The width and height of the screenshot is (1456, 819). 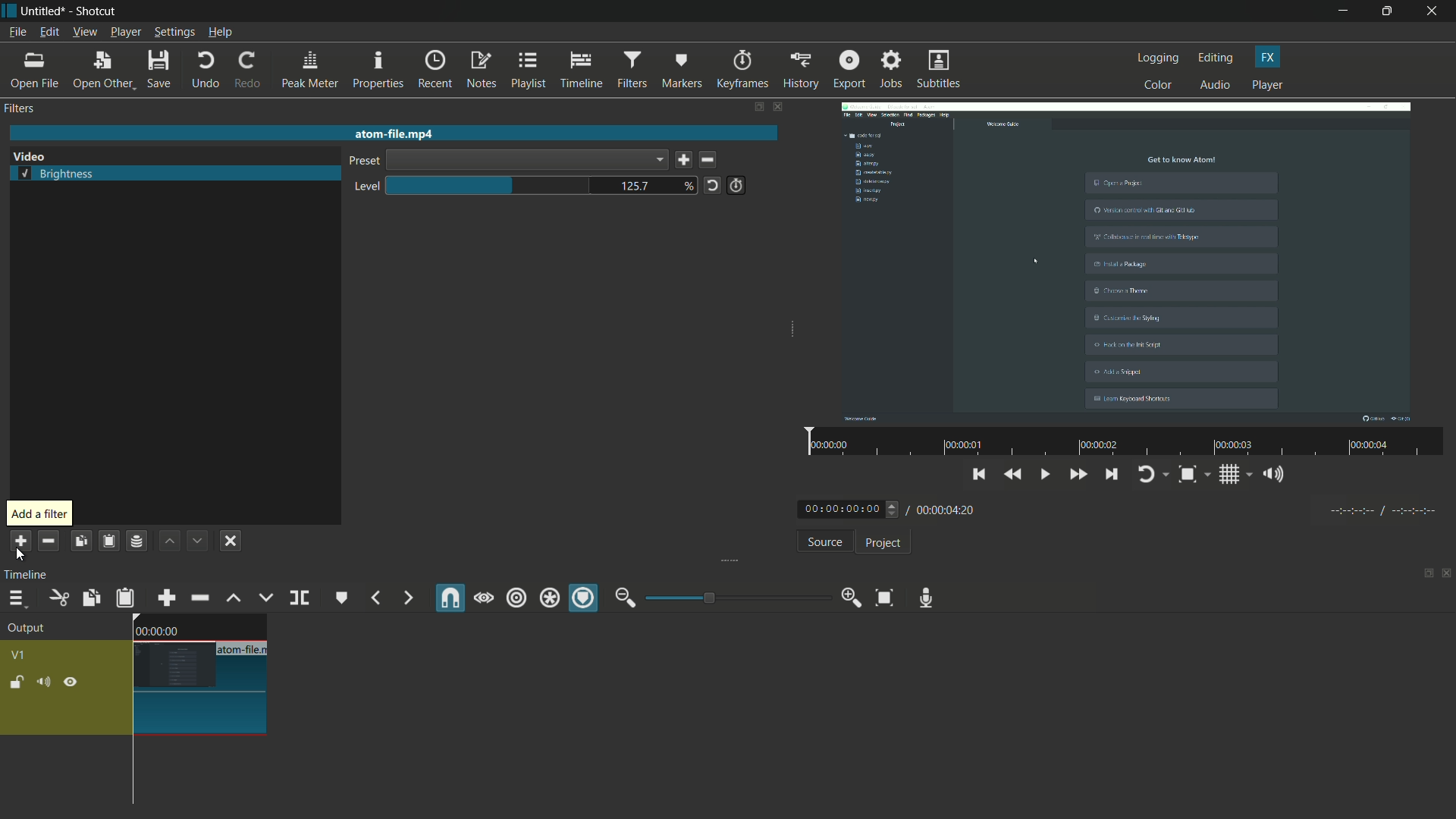 I want to click on save a filter set, so click(x=136, y=542).